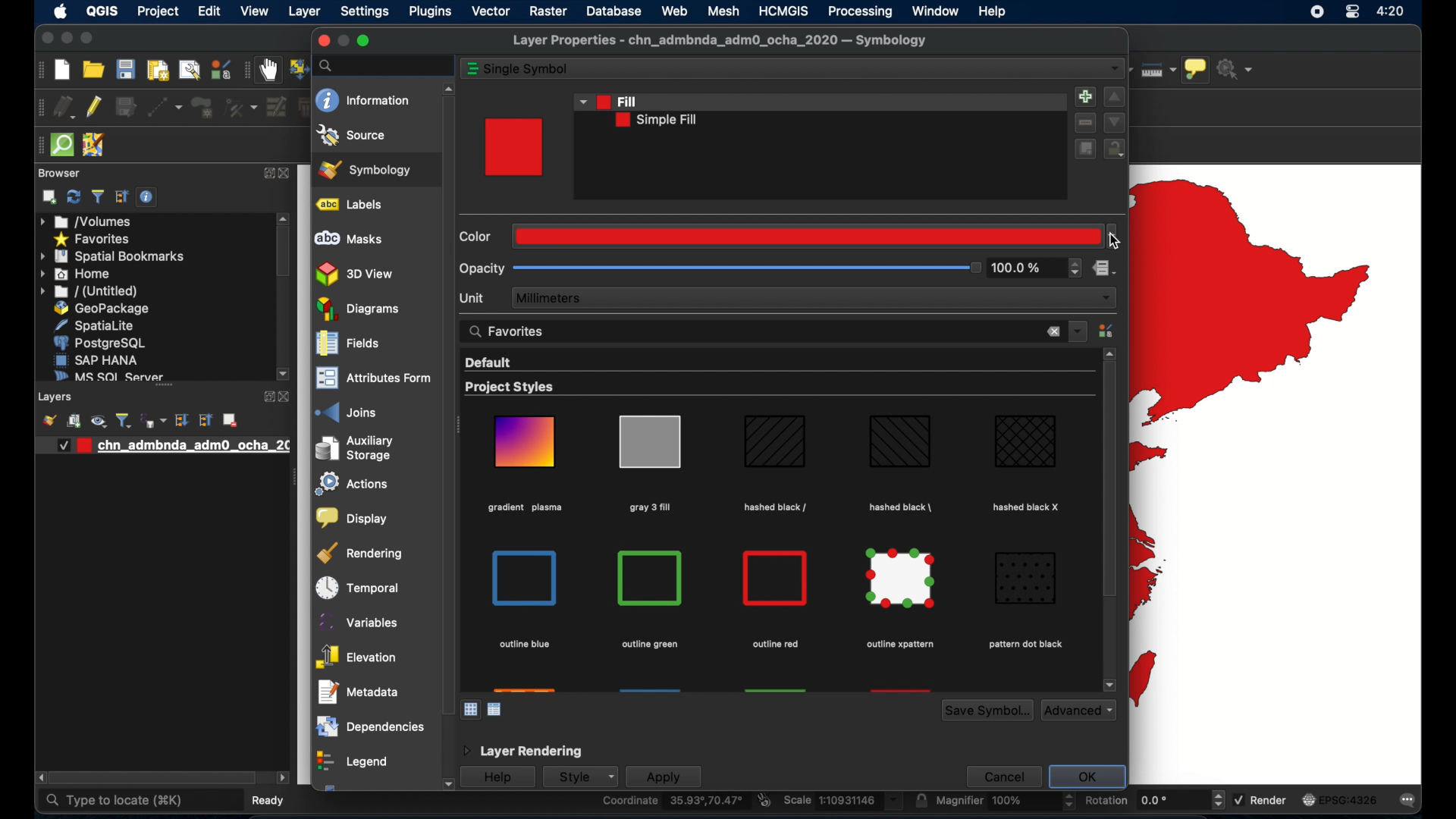 The width and height of the screenshot is (1456, 819). What do you see at coordinates (39, 70) in the screenshot?
I see `project toolbar` at bounding box center [39, 70].